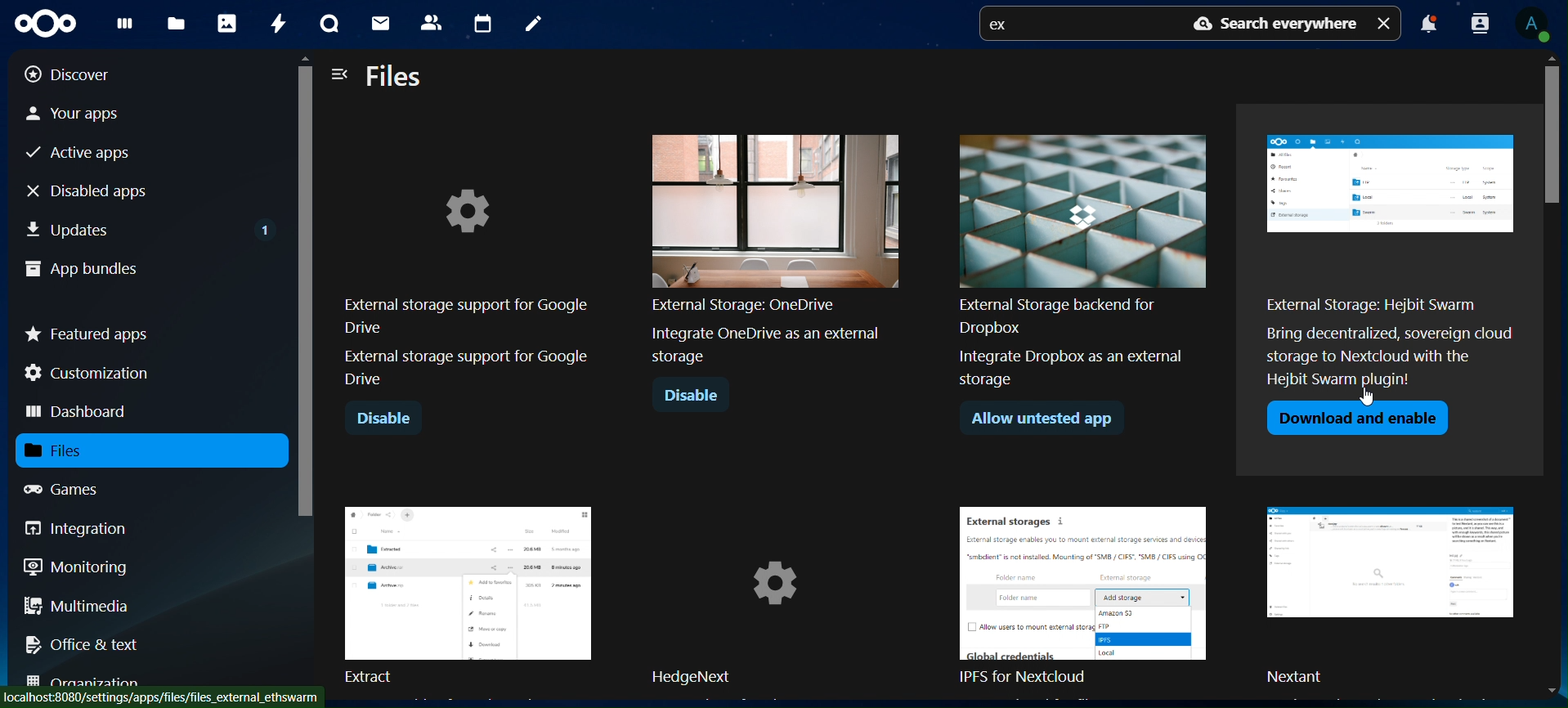 The image size is (1568, 708). I want to click on files, so click(396, 78).